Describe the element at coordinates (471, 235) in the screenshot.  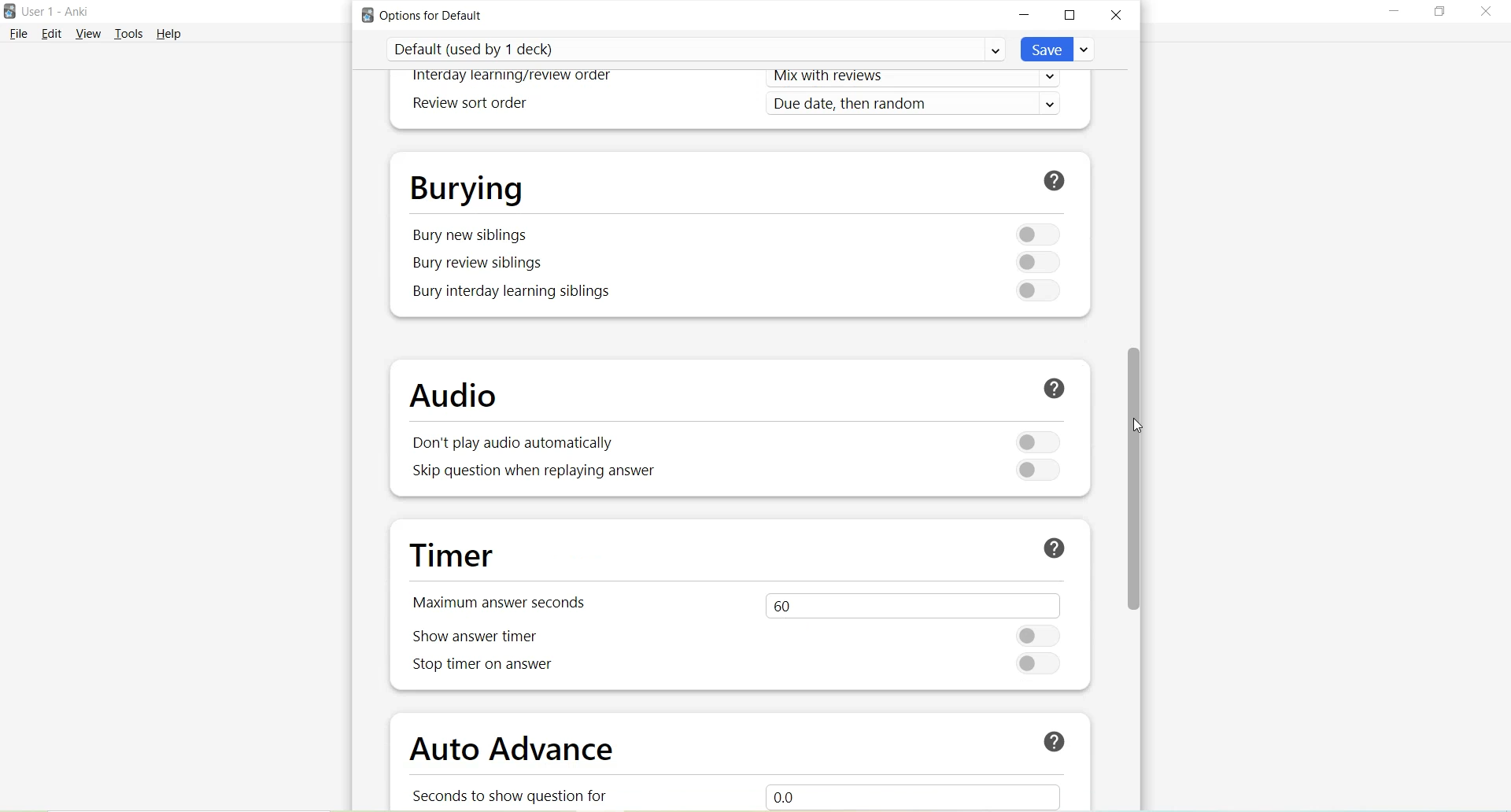
I see `Bury new siblings` at that location.